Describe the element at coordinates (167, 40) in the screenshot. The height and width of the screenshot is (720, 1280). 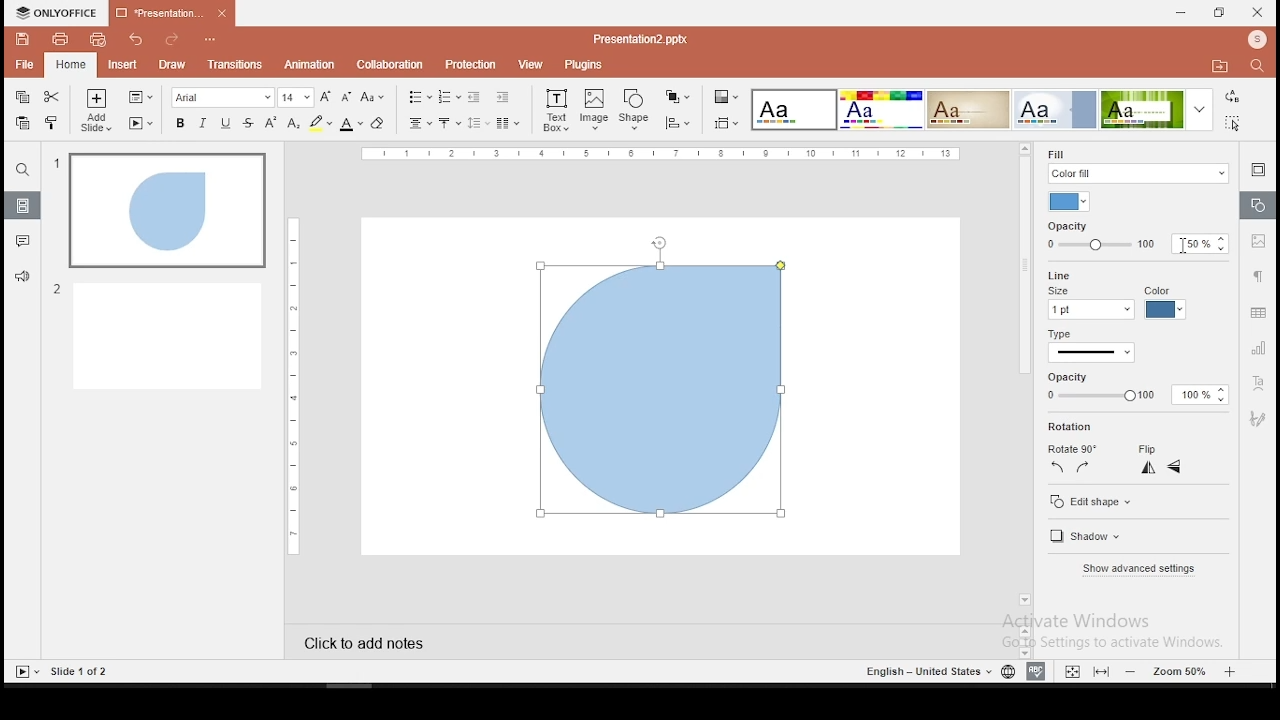
I see `redo` at that location.